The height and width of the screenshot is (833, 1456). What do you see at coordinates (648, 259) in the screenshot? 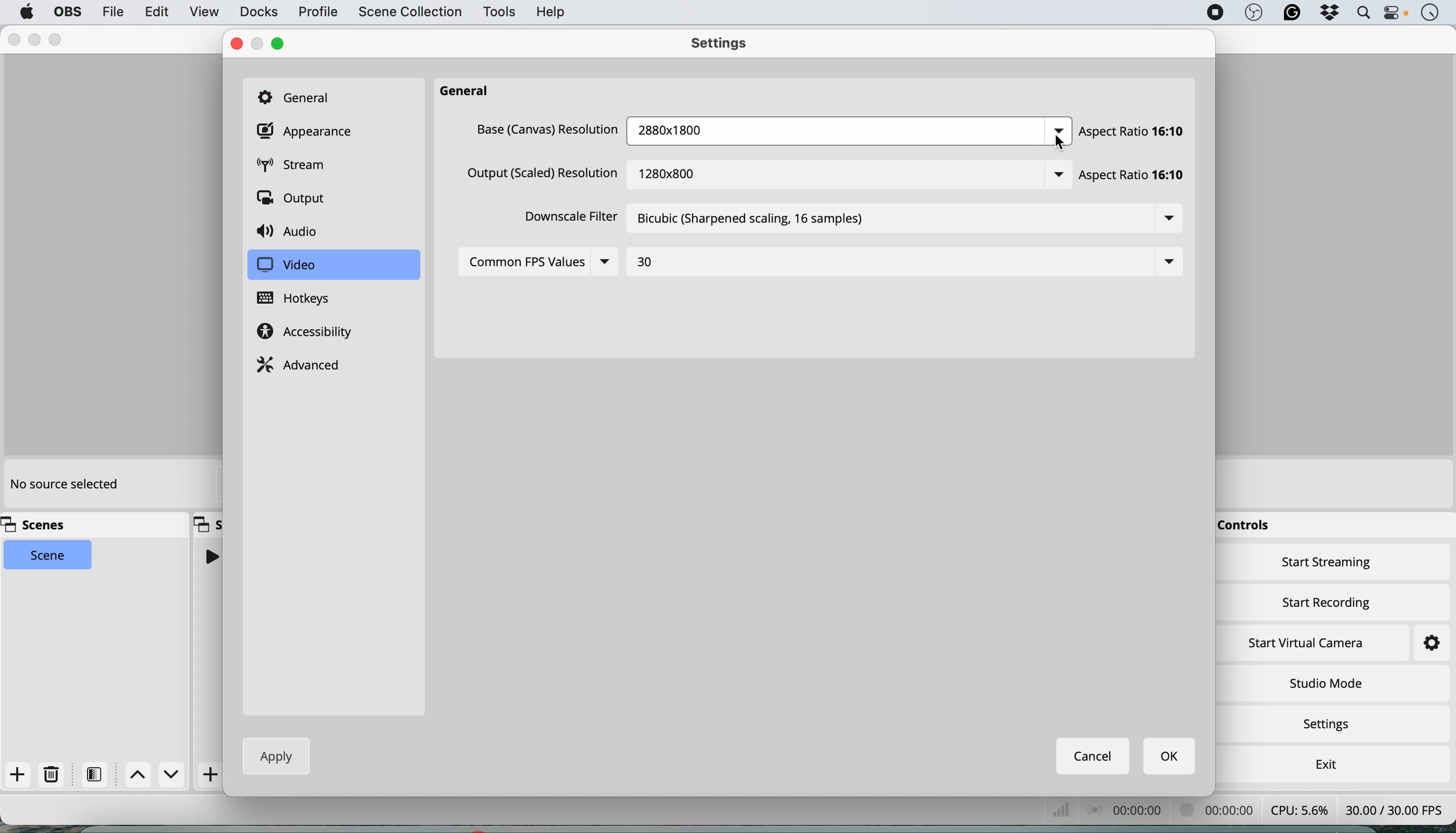
I see `30` at bounding box center [648, 259].